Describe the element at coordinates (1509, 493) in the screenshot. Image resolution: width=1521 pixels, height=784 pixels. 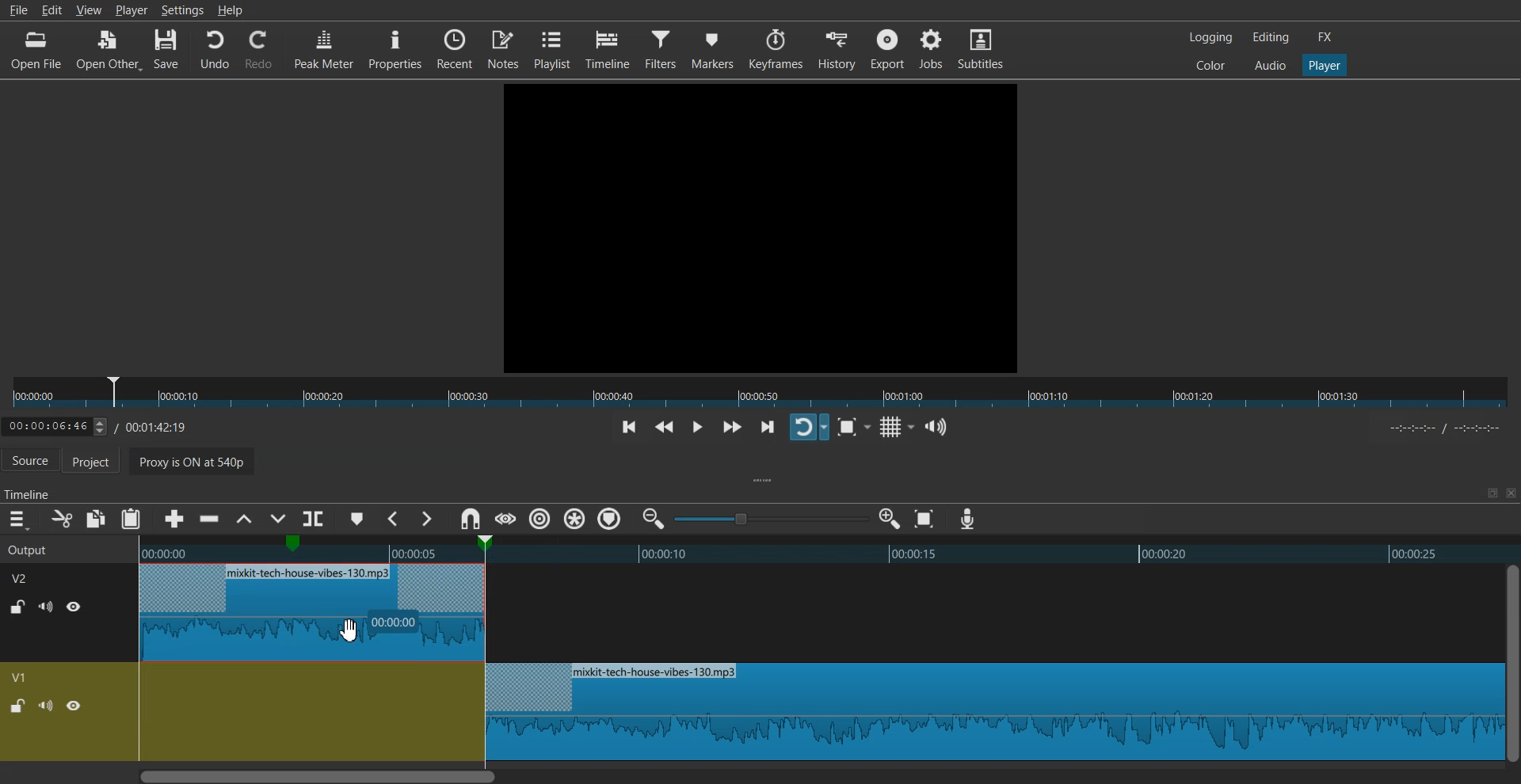
I see `Close` at that location.